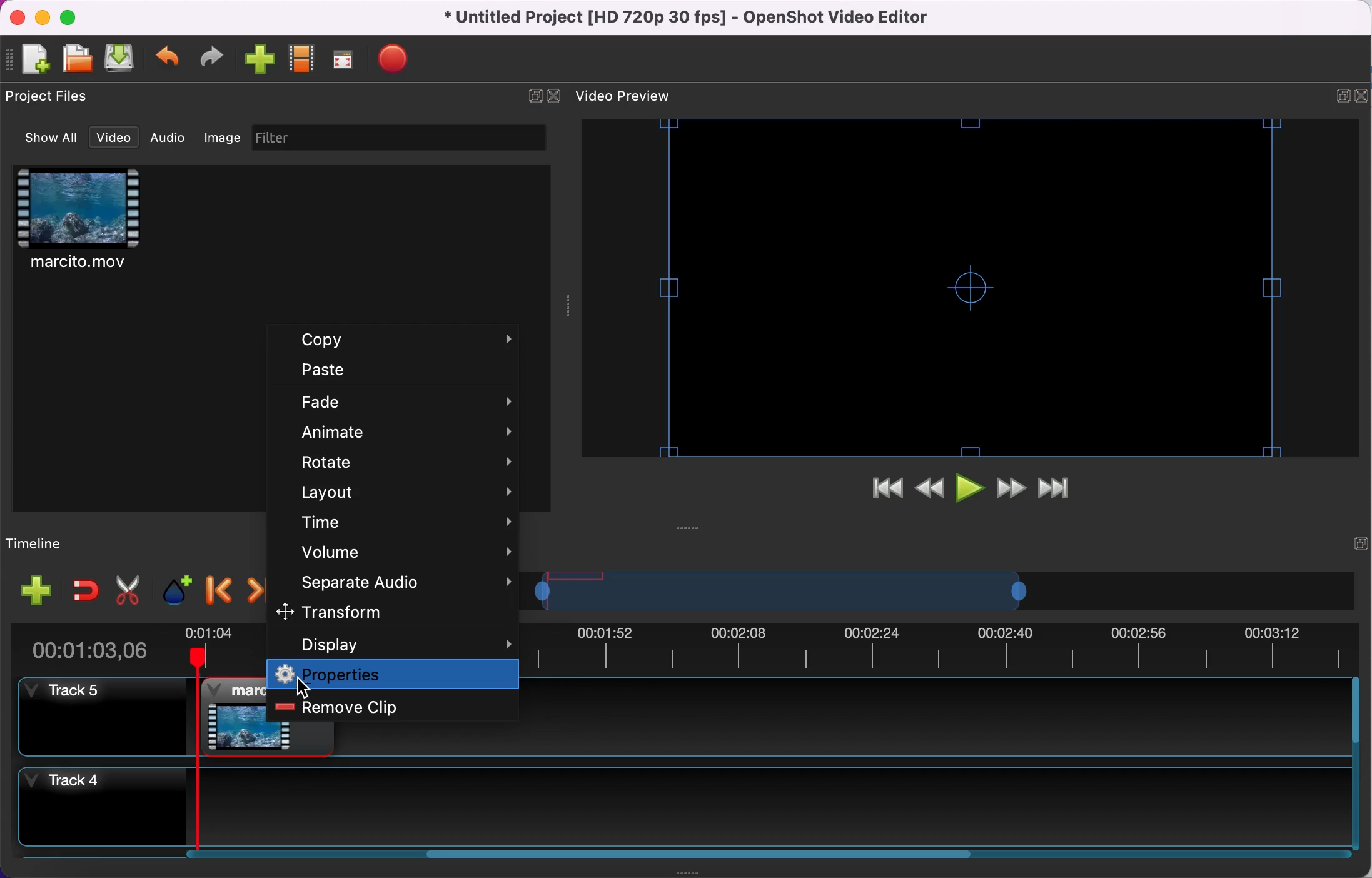  What do you see at coordinates (399, 431) in the screenshot?
I see `animate` at bounding box center [399, 431].